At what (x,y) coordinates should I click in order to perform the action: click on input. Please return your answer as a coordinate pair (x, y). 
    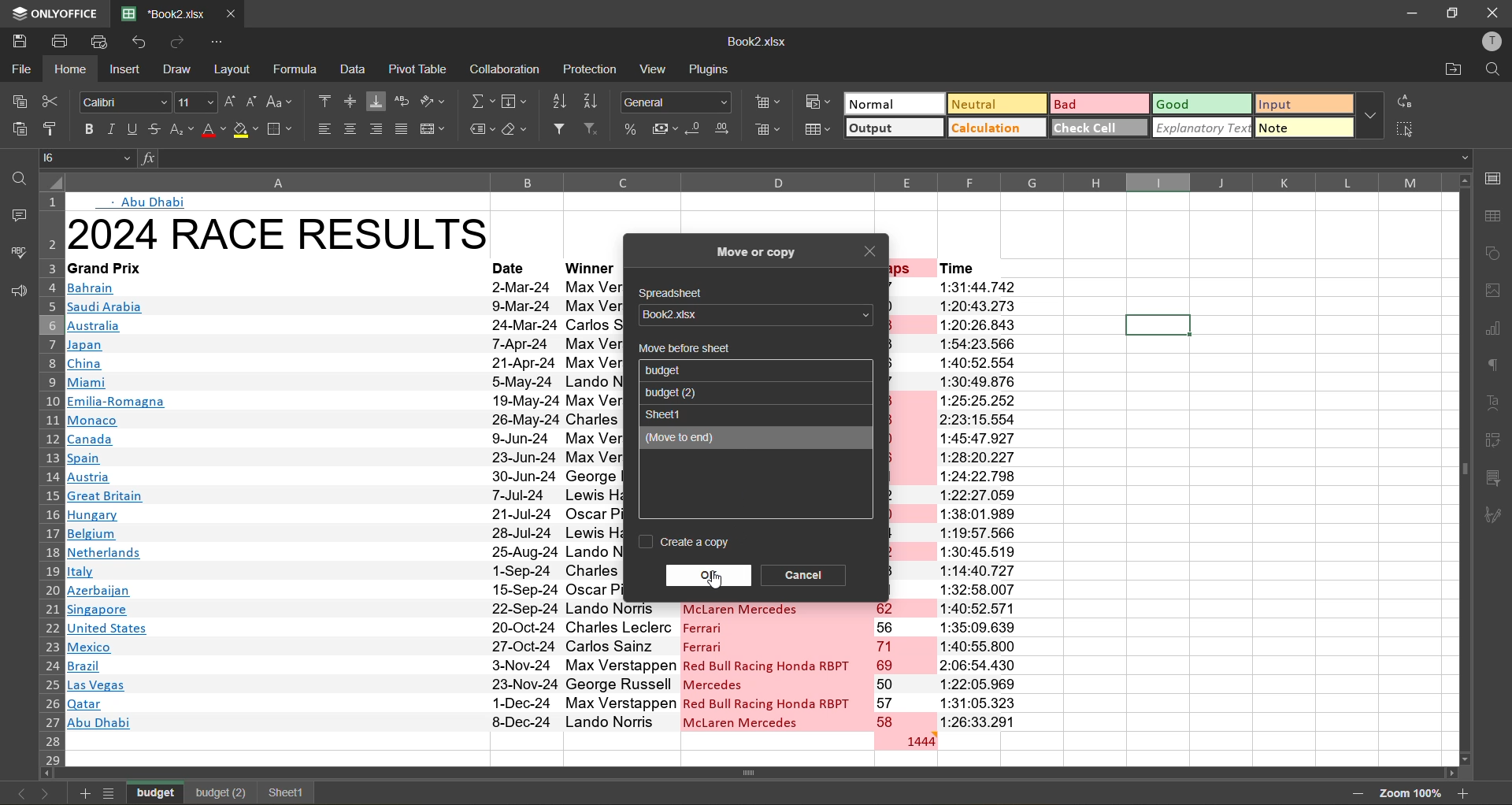
    Looking at the image, I should click on (1299, 106).